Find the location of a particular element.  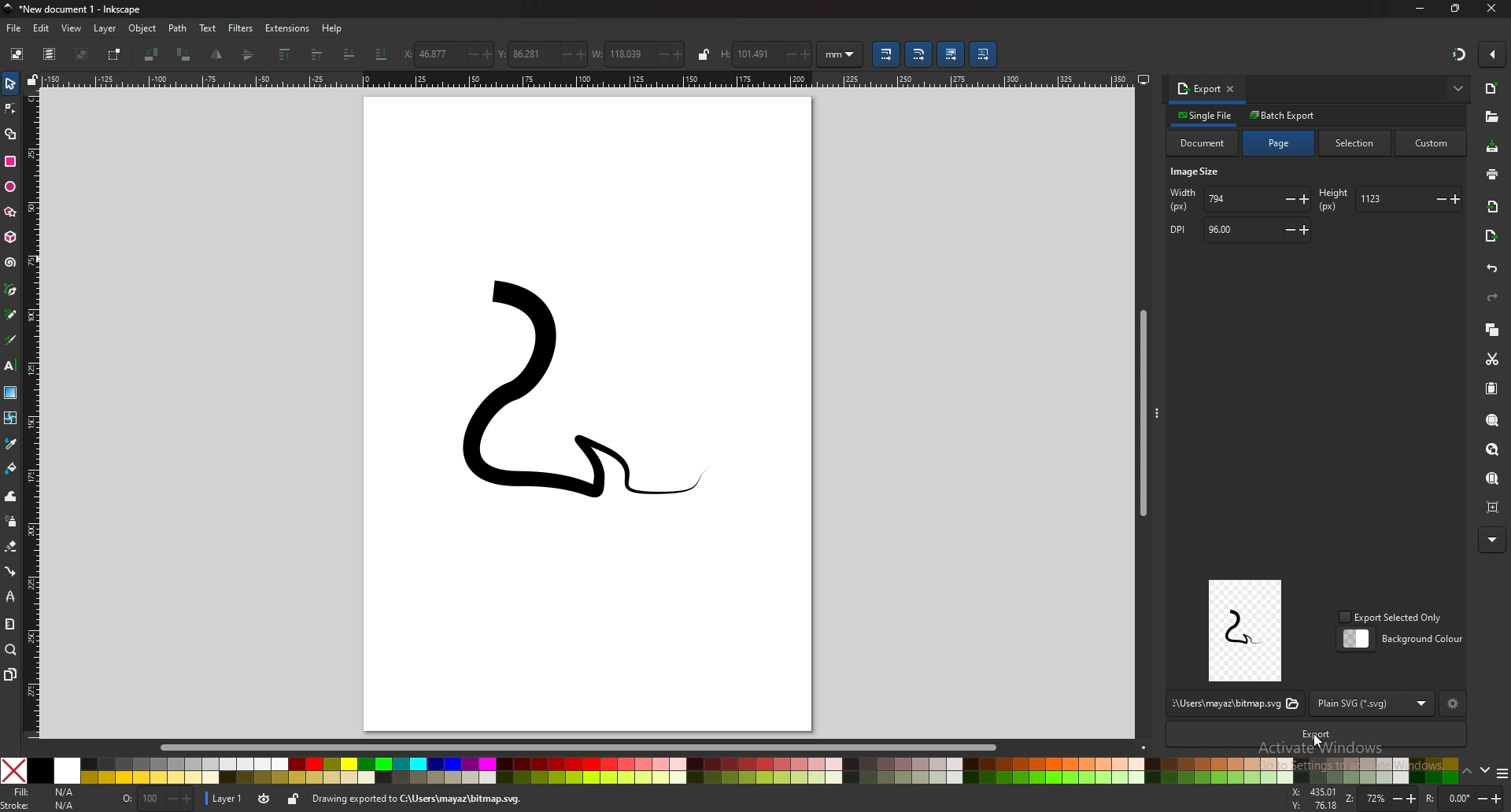

zoom selection is located at coordinates (1493, 419).